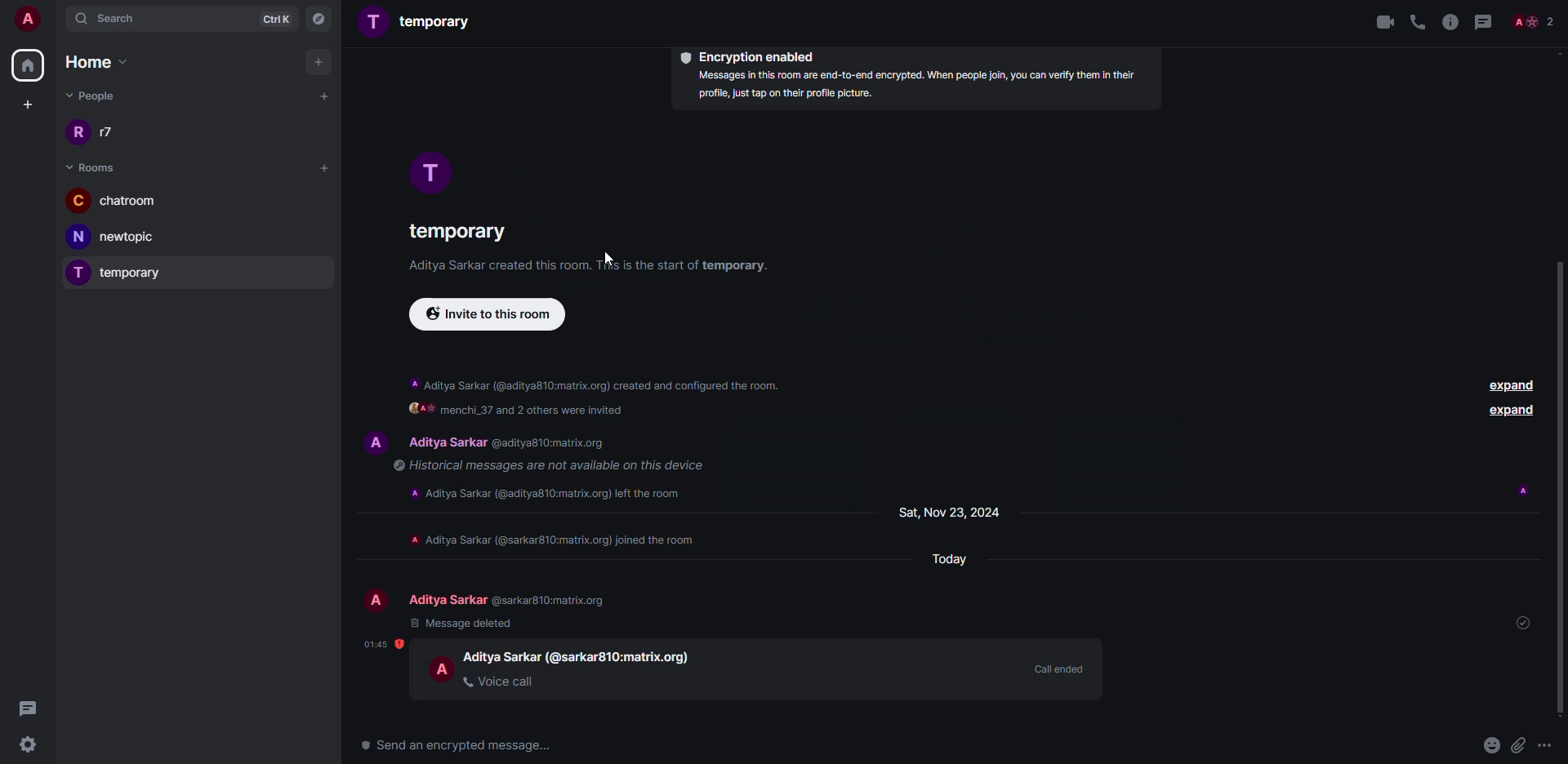 Image resolution: width=1568 pixels, height=764 pixels. What do you see at coordinates (327, 169) in the screenshot?
I see `add` at bounding box center [327, 169].